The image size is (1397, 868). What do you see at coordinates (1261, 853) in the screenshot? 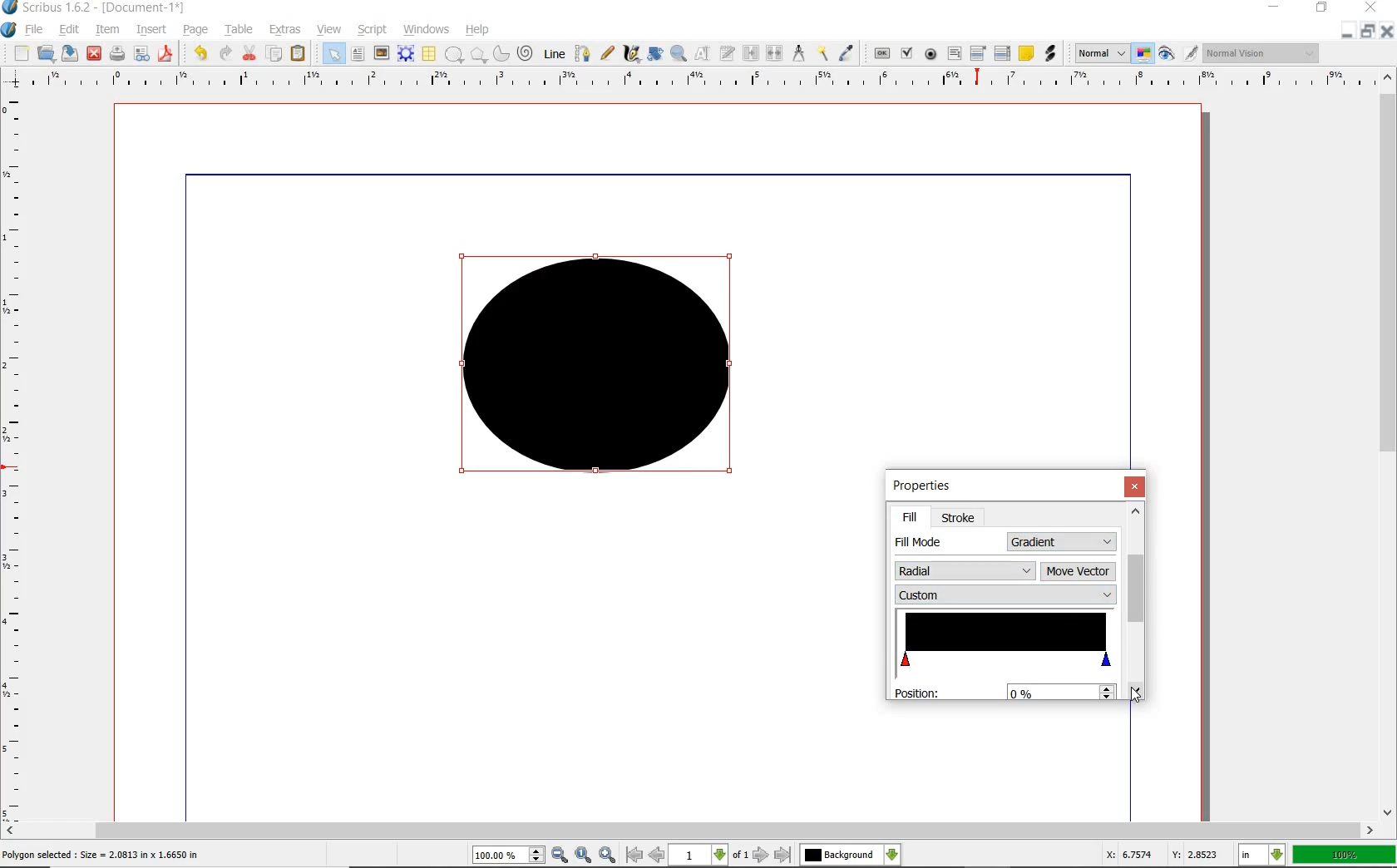
I see `select current unit` at bounding box center [1261, 853].